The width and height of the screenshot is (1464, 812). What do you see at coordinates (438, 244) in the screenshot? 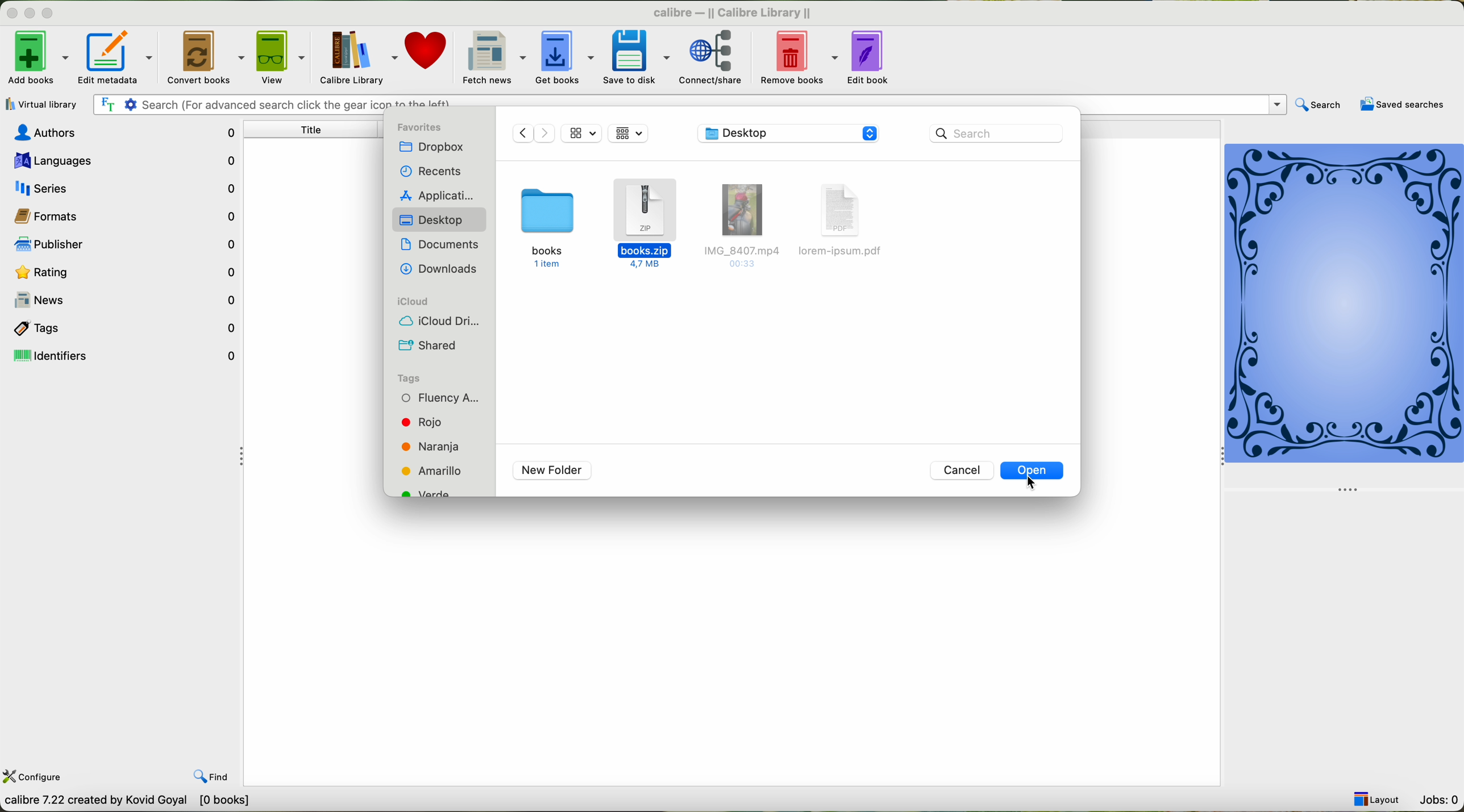
I see `documents` at bounding box center [438, 244].